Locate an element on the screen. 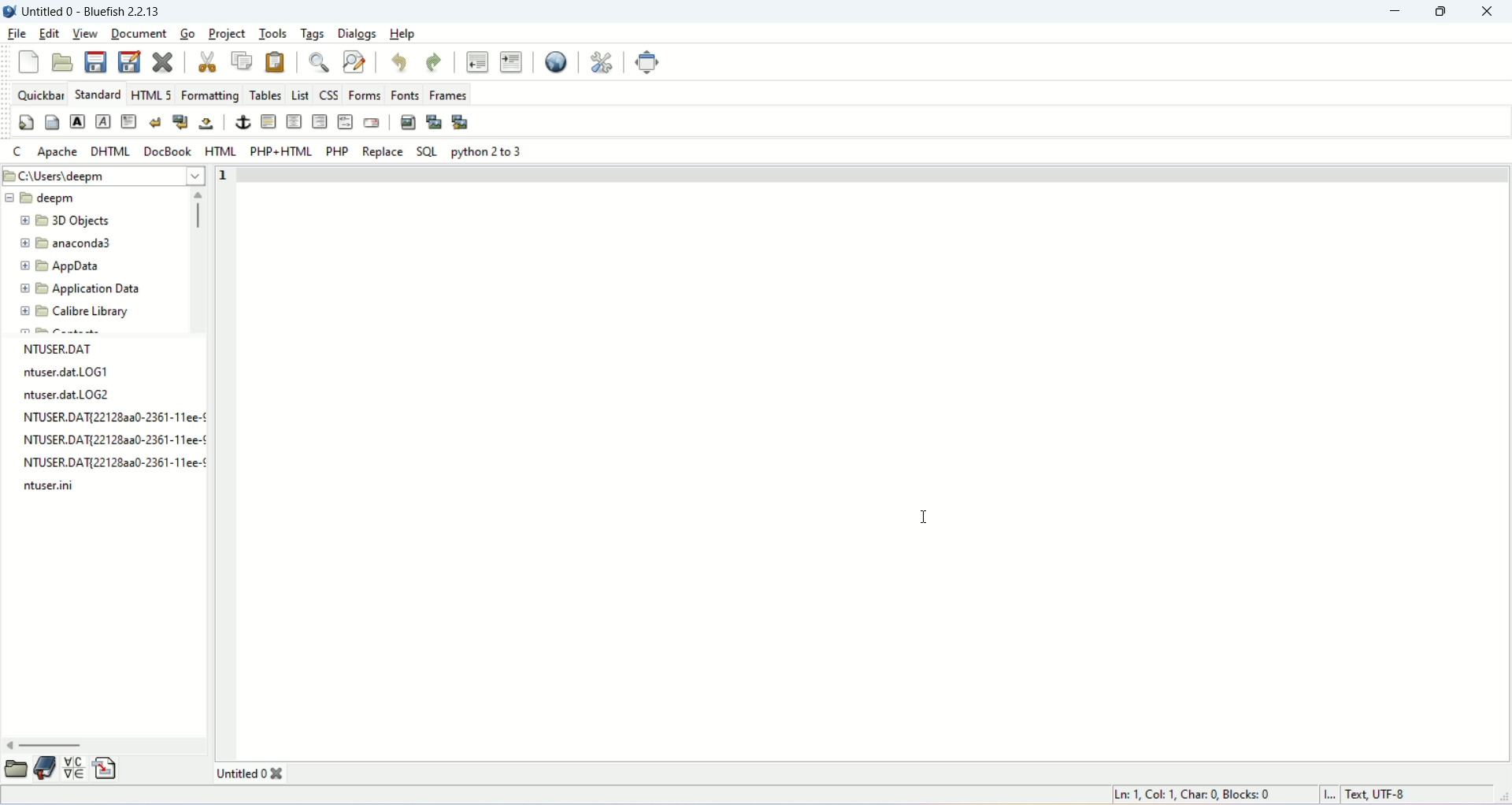  deepm is located at coordinates (59, 201).